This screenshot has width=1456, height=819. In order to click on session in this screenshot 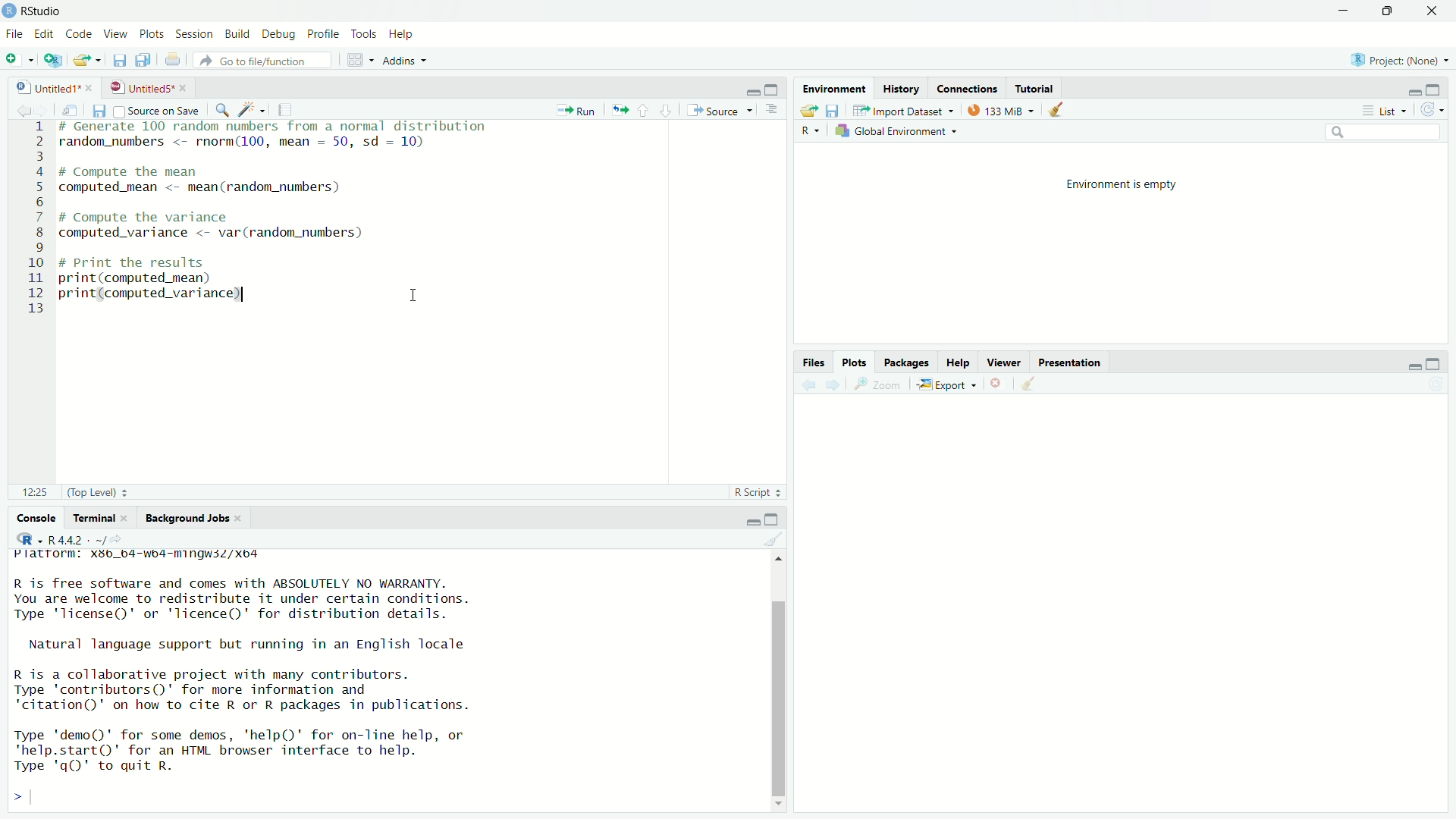, I will do `click(196, 35)`.